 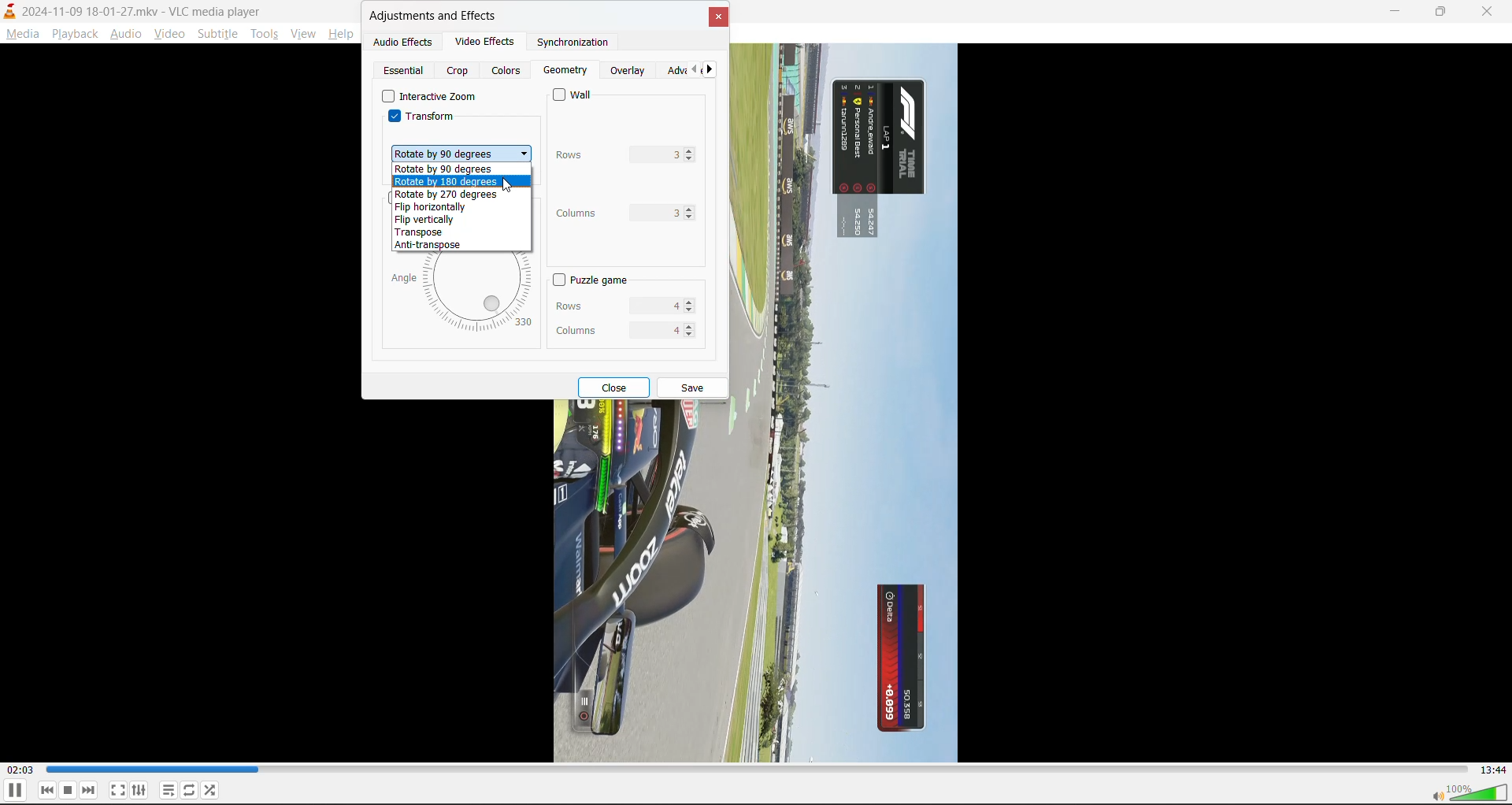 What do you see at coordinates (478, 40) in the screenshot?
I see `video effects` at bounding box center [478, 40].